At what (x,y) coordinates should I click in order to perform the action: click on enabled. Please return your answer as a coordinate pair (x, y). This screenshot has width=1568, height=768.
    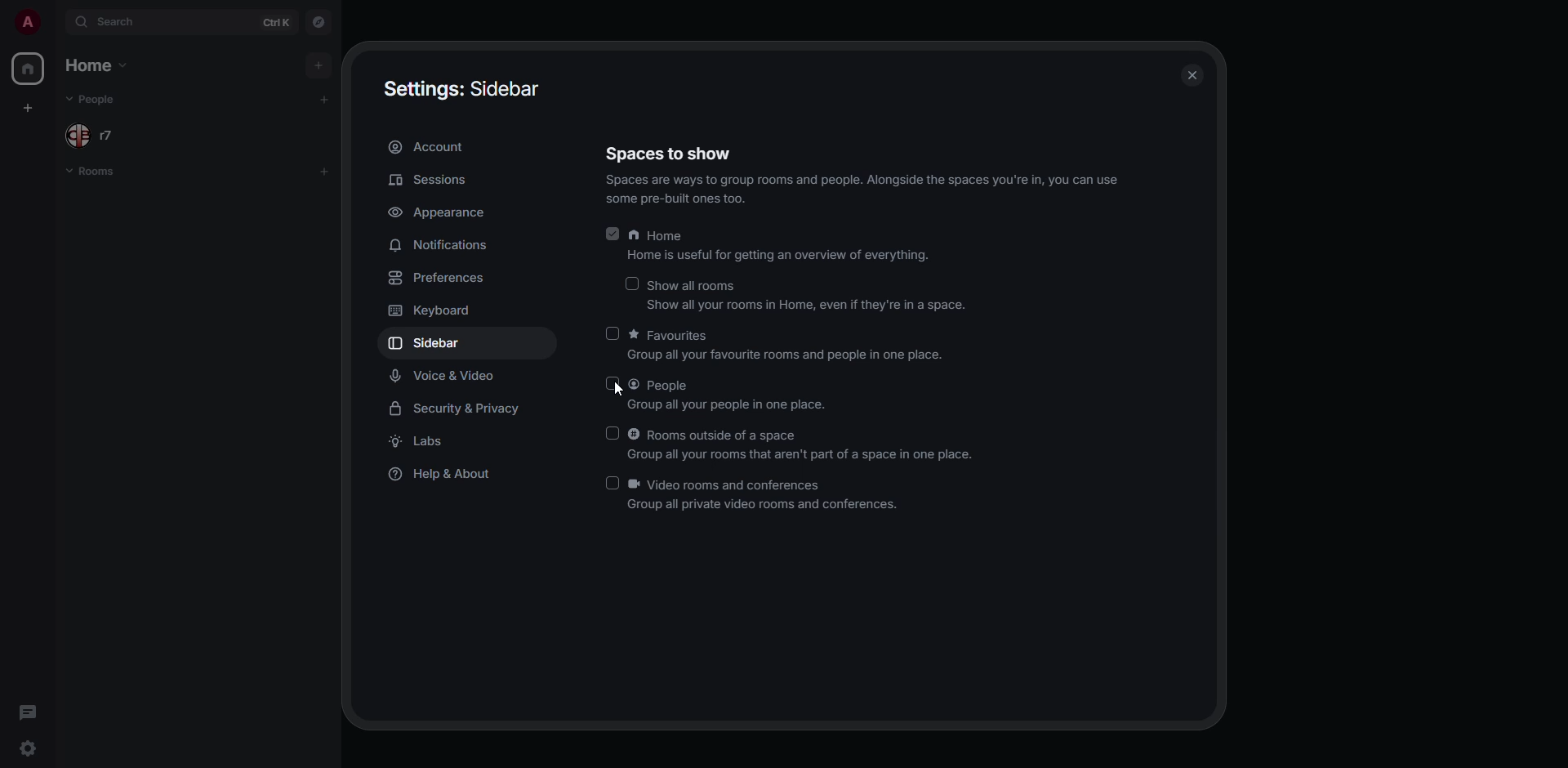
    Looking at the image, I should click on (612, 234).